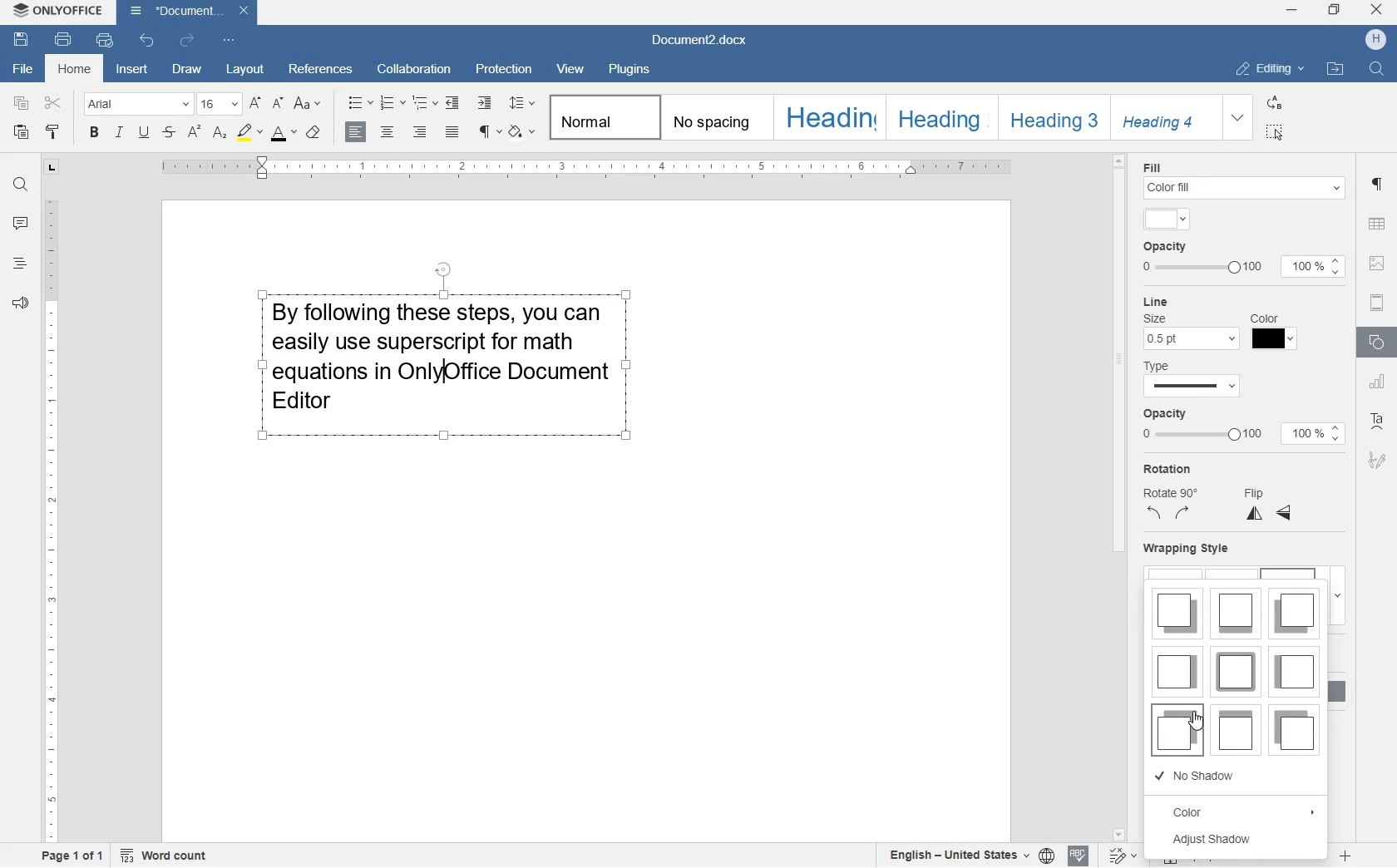 This screenshot has width=1397, height=868. I want to click on COLOR, so click(1240, 813).